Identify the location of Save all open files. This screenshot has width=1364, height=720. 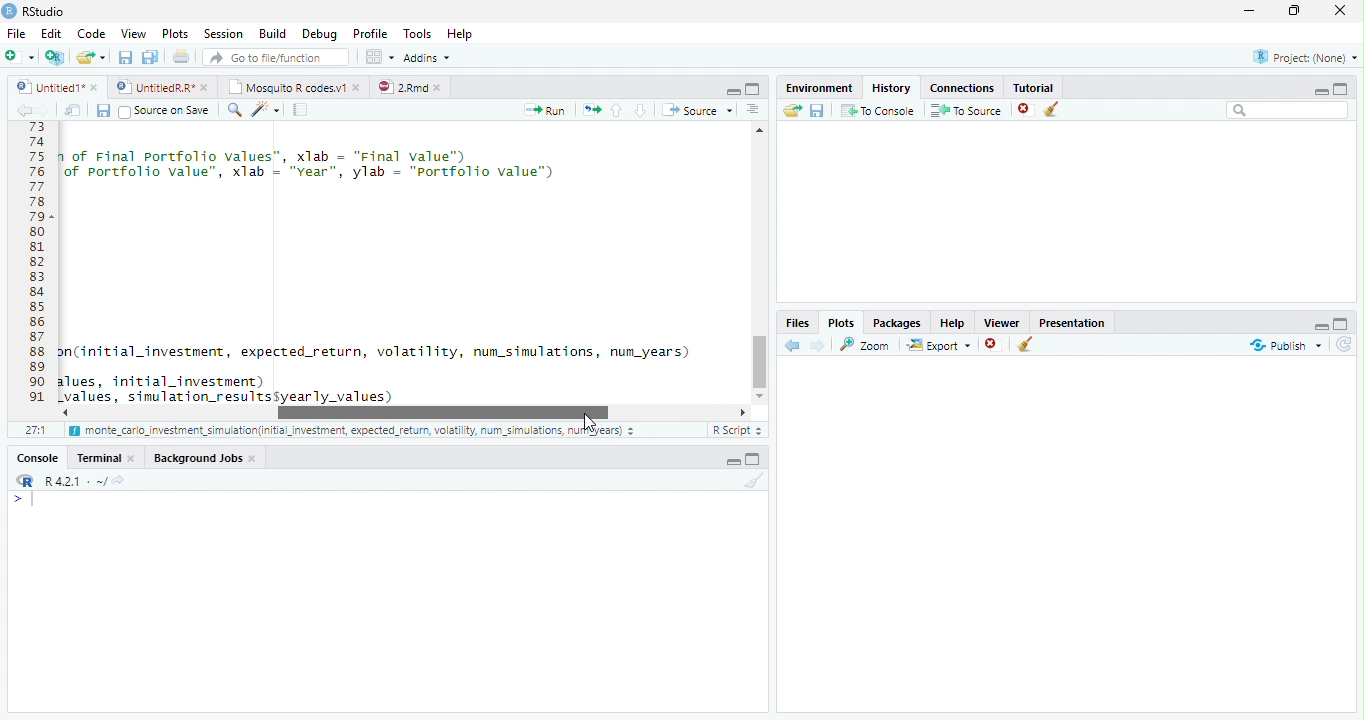
(149, 57).